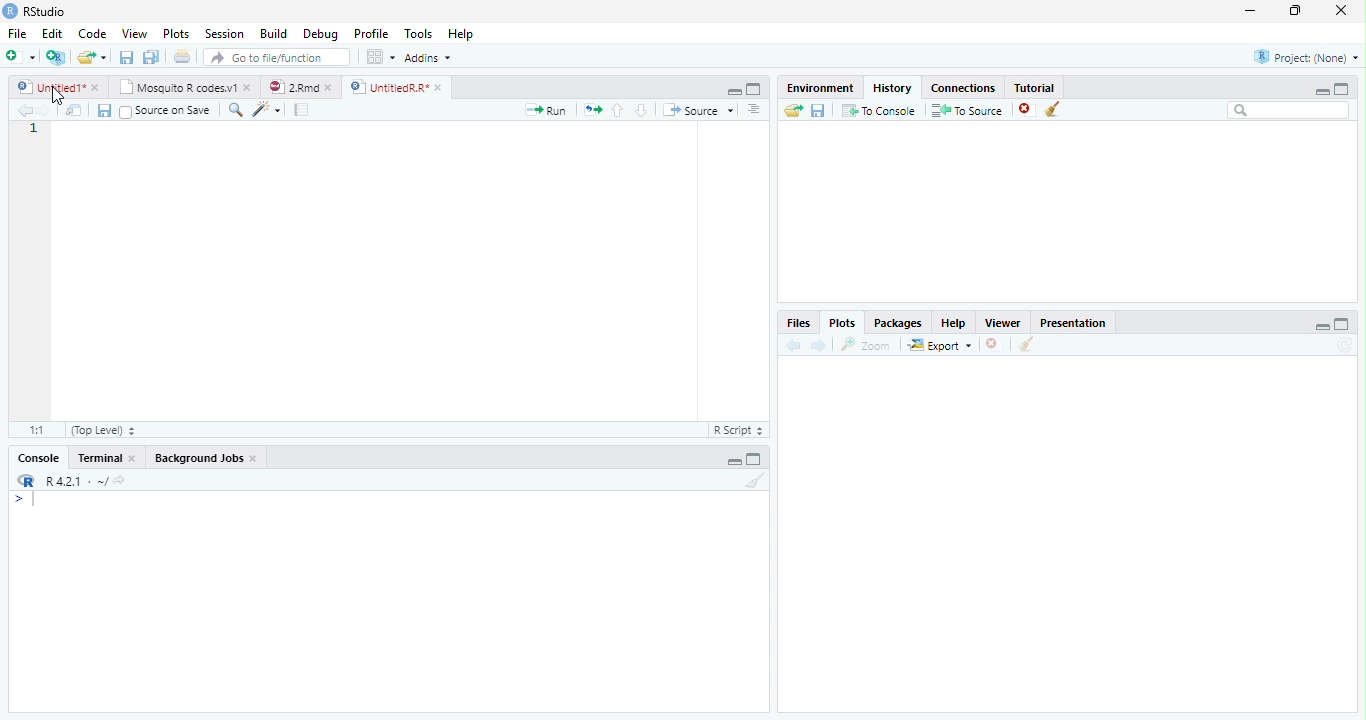 This screenshot has width=1366, height=720. Describe the element at coordinates (793, 345) in the screenshot. I see `Previous plot` at that location.